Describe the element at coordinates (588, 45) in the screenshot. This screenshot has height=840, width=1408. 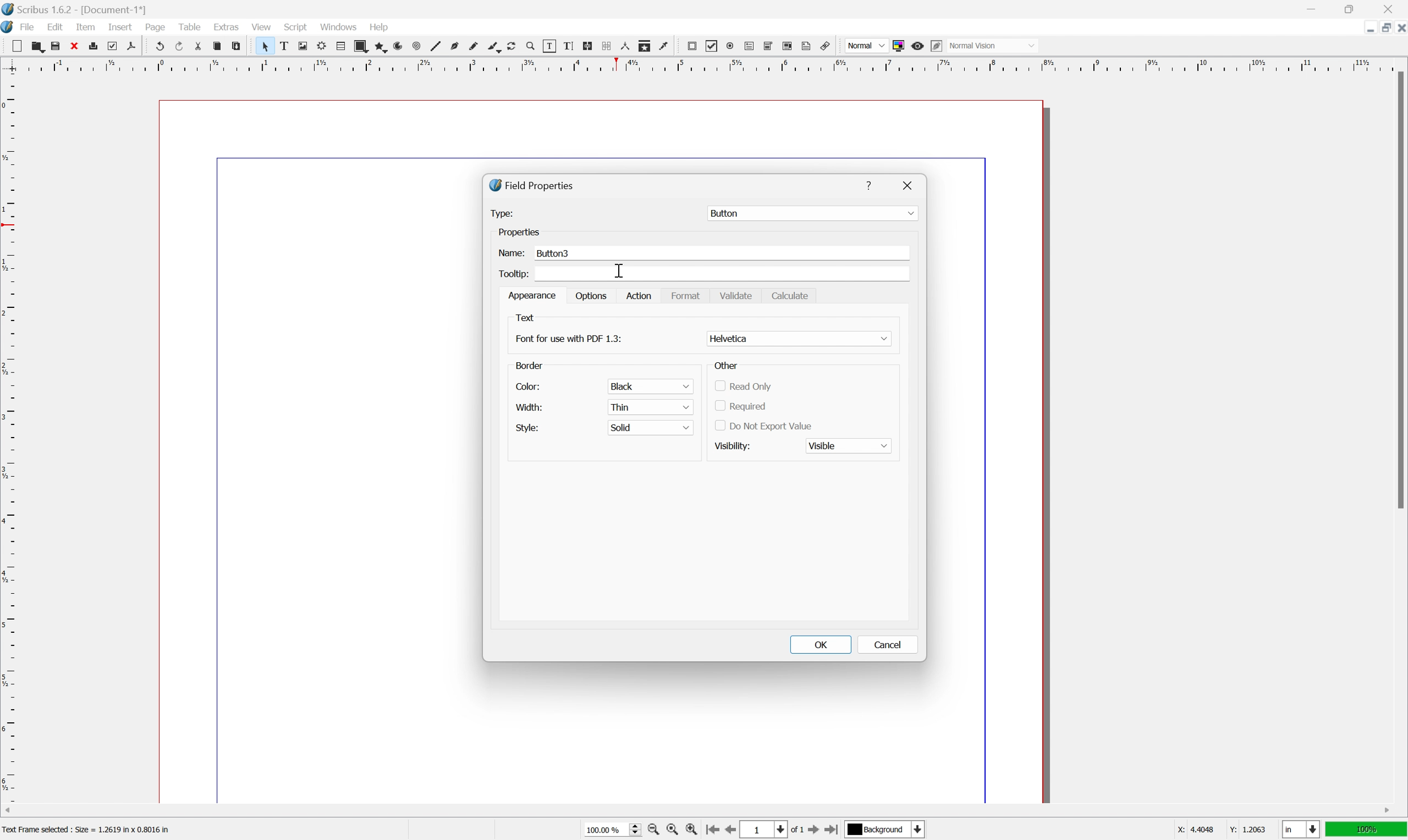
I see `link text frames` at that location.